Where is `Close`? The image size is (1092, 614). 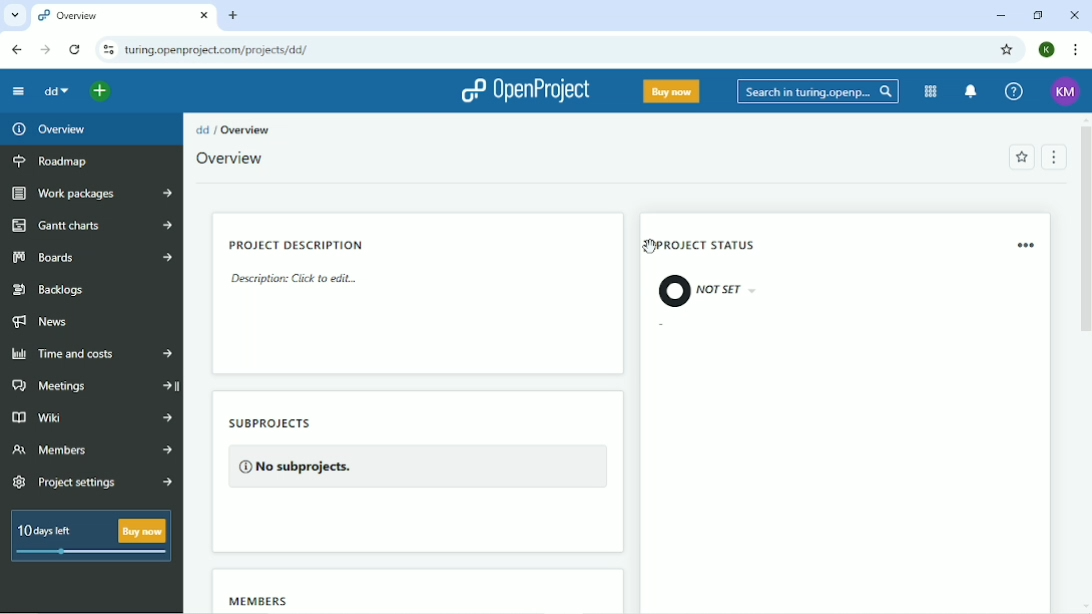
Close is located at coordinates (1075, 16).